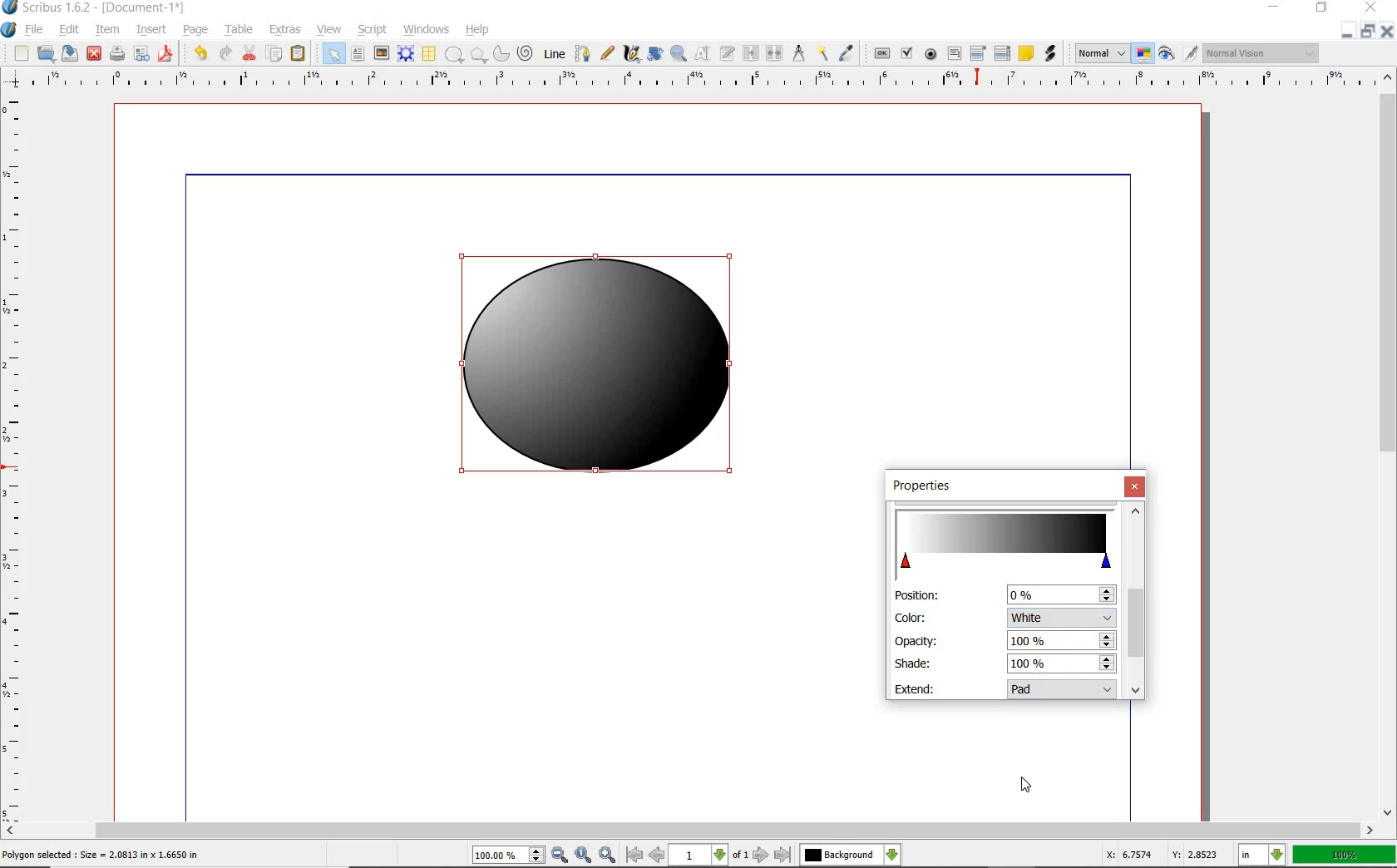 The height and width of the screenshot is (868, 1397). What do you see at coordinates (1051, 54) in the screenshot?
I see `LINK ANNOTATION` at bounding box center [1051, 54].